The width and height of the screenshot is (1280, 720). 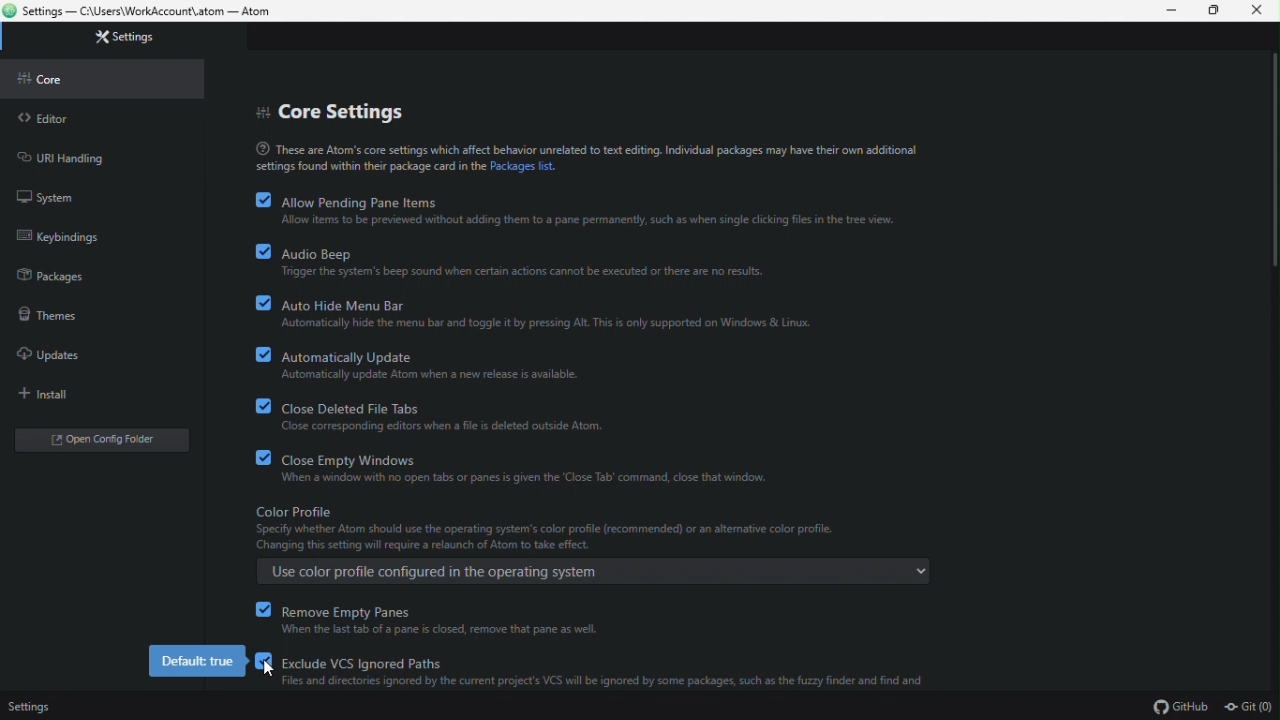 I want to click on checkbox, so click(x=253, y=252).